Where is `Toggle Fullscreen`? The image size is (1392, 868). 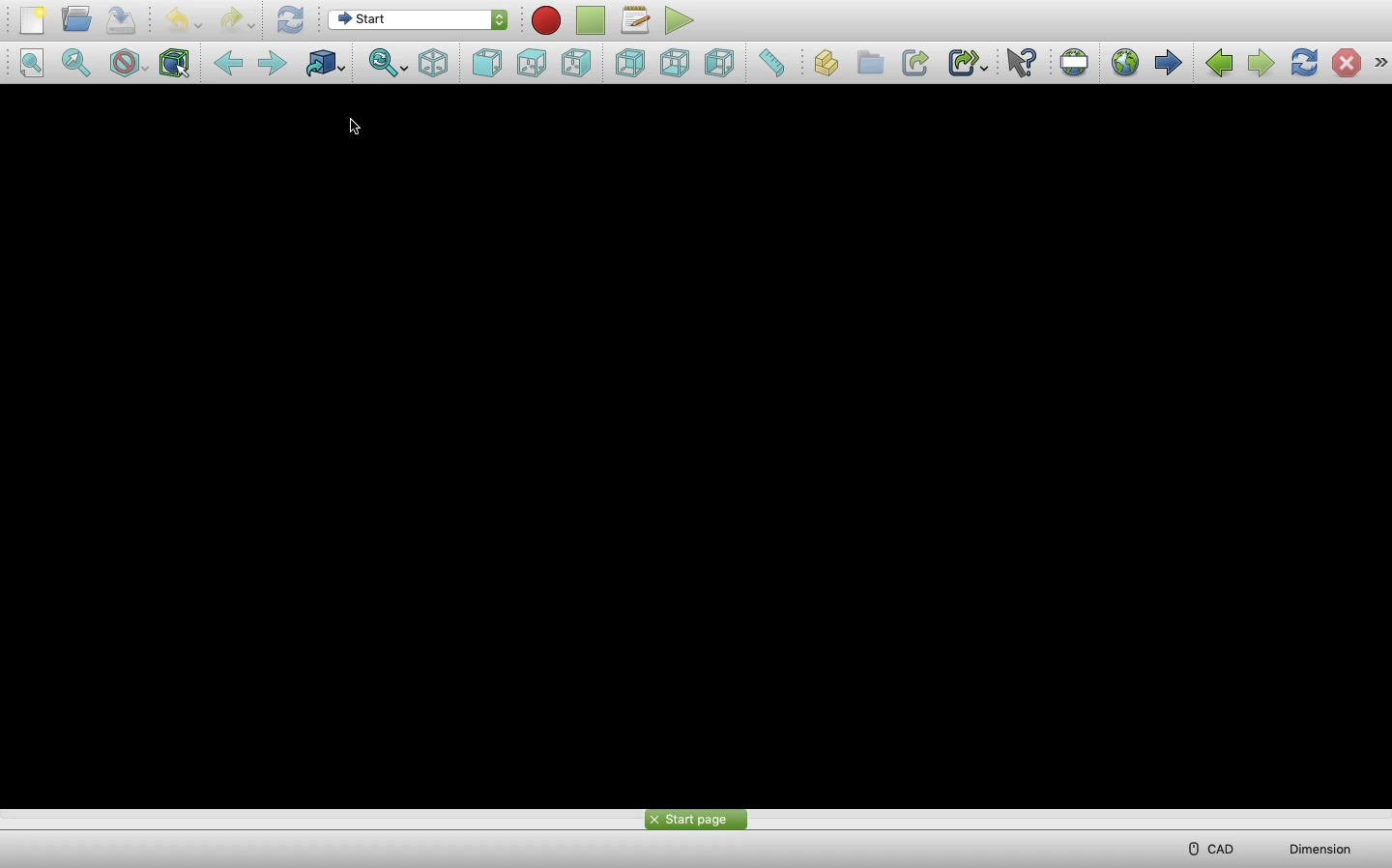
Toggle Fullscreen is located at coordinates (1074, 61).